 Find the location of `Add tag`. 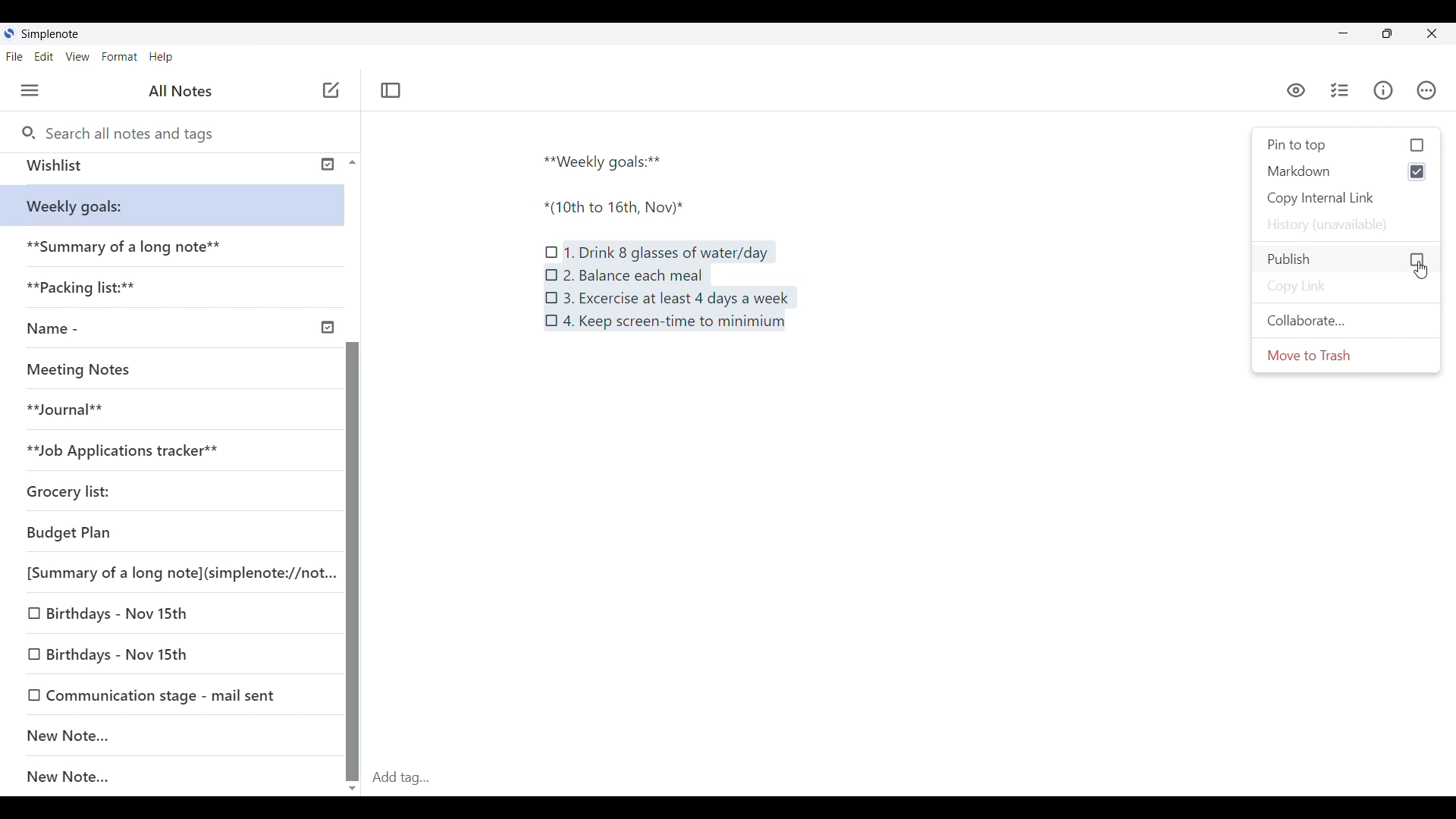

Add tag is located at coordinates (910, 777).